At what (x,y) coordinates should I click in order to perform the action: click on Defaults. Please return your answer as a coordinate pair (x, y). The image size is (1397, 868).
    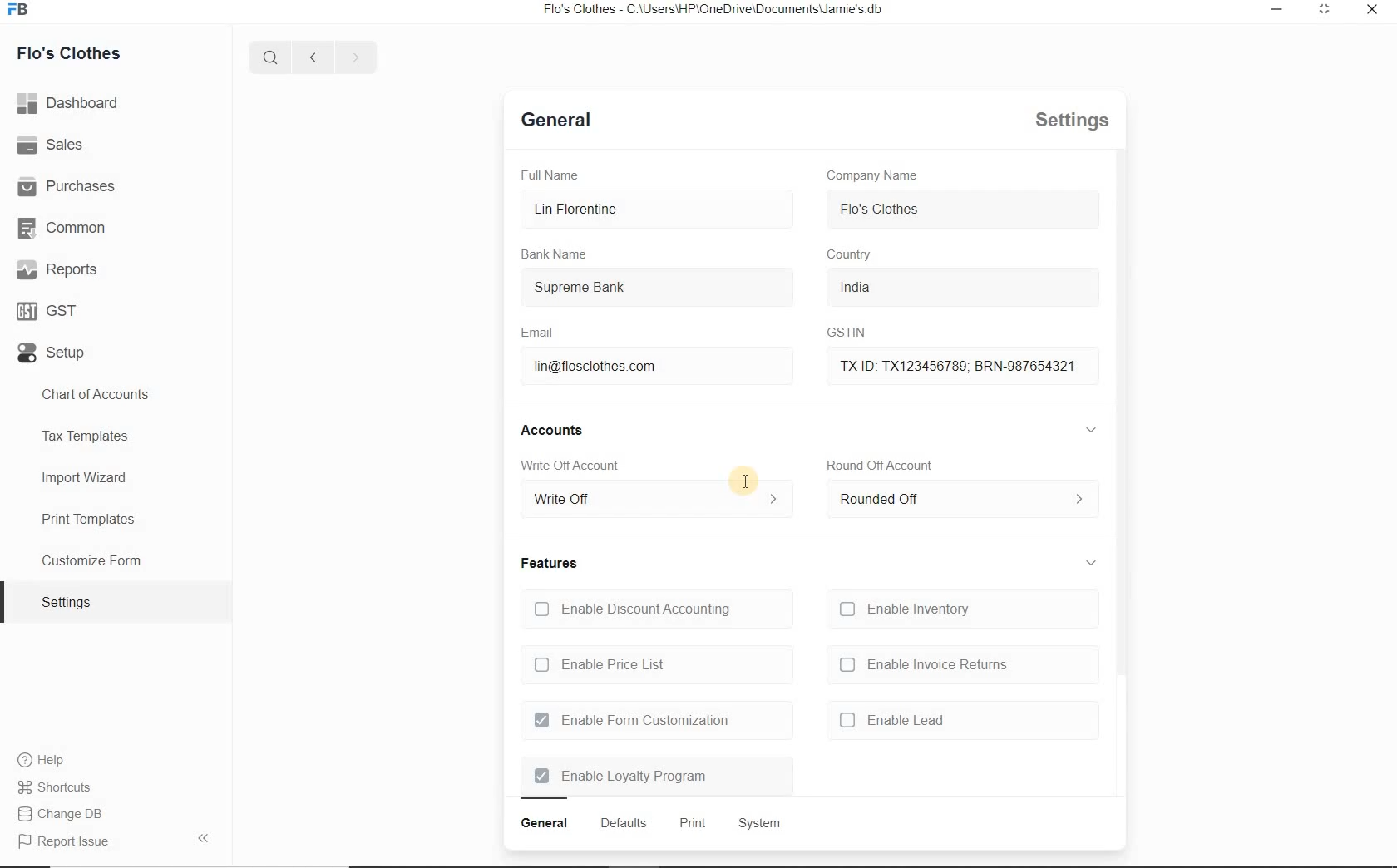
    Looking at the image, I should click on (626, 823).